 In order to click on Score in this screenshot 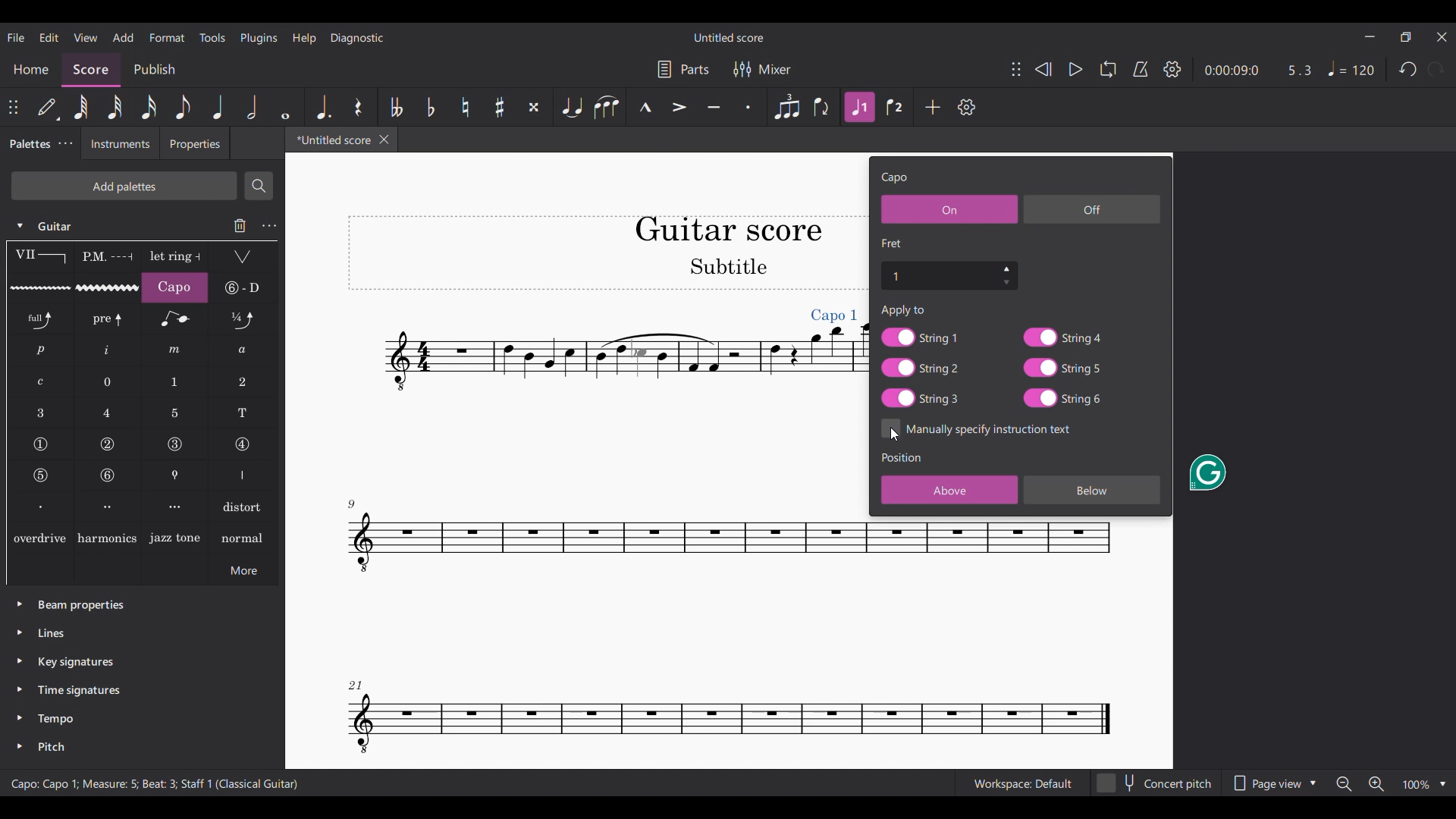, I will do `click(92, 70)`.